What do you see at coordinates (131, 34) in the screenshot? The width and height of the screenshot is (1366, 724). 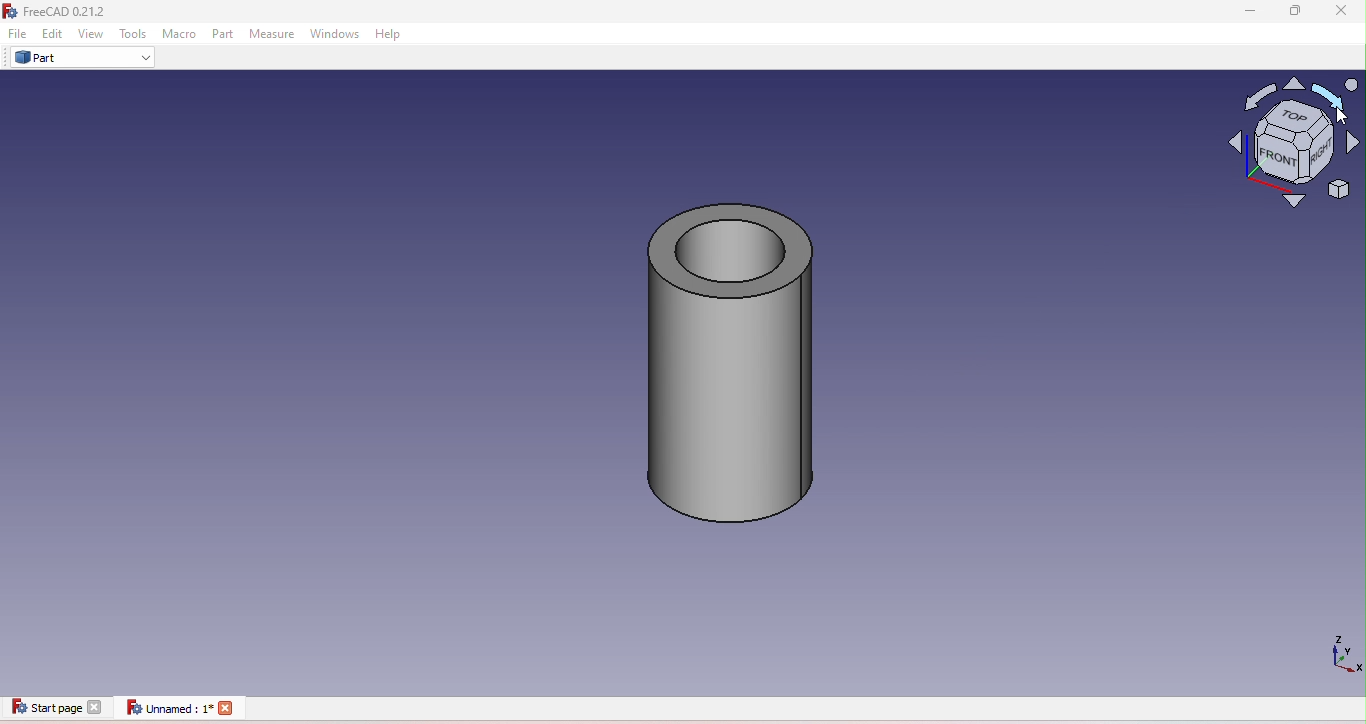 I see `Tools` at bounding box center [131, 34].